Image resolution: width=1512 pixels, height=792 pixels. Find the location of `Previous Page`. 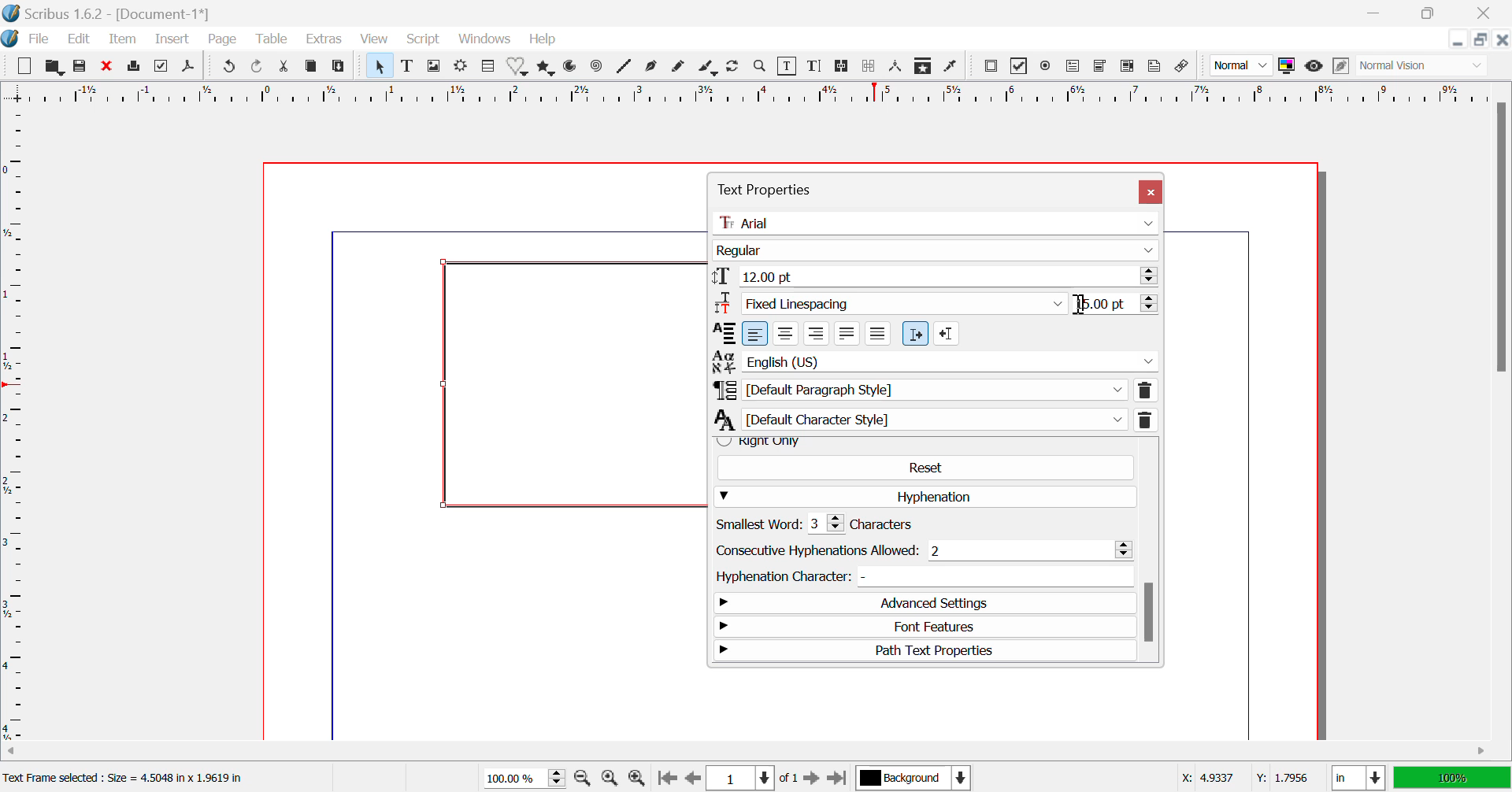

Previous Page is located at coordinates (691, 779).